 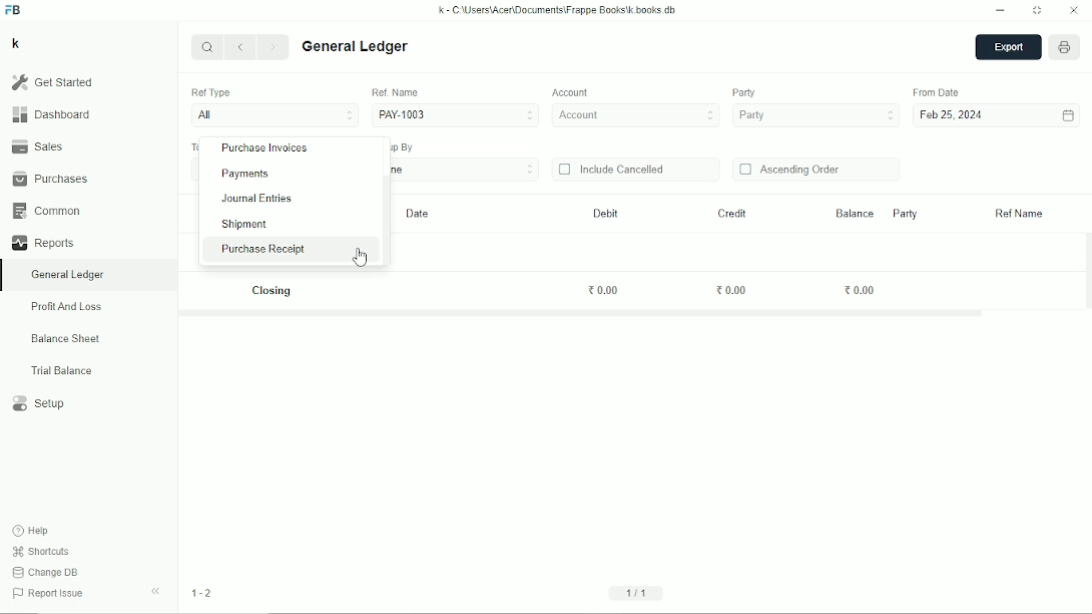 What do you see at coordinates (854, 212) in the screenshot?
I see `Balance` at bounding box center [854, 212].